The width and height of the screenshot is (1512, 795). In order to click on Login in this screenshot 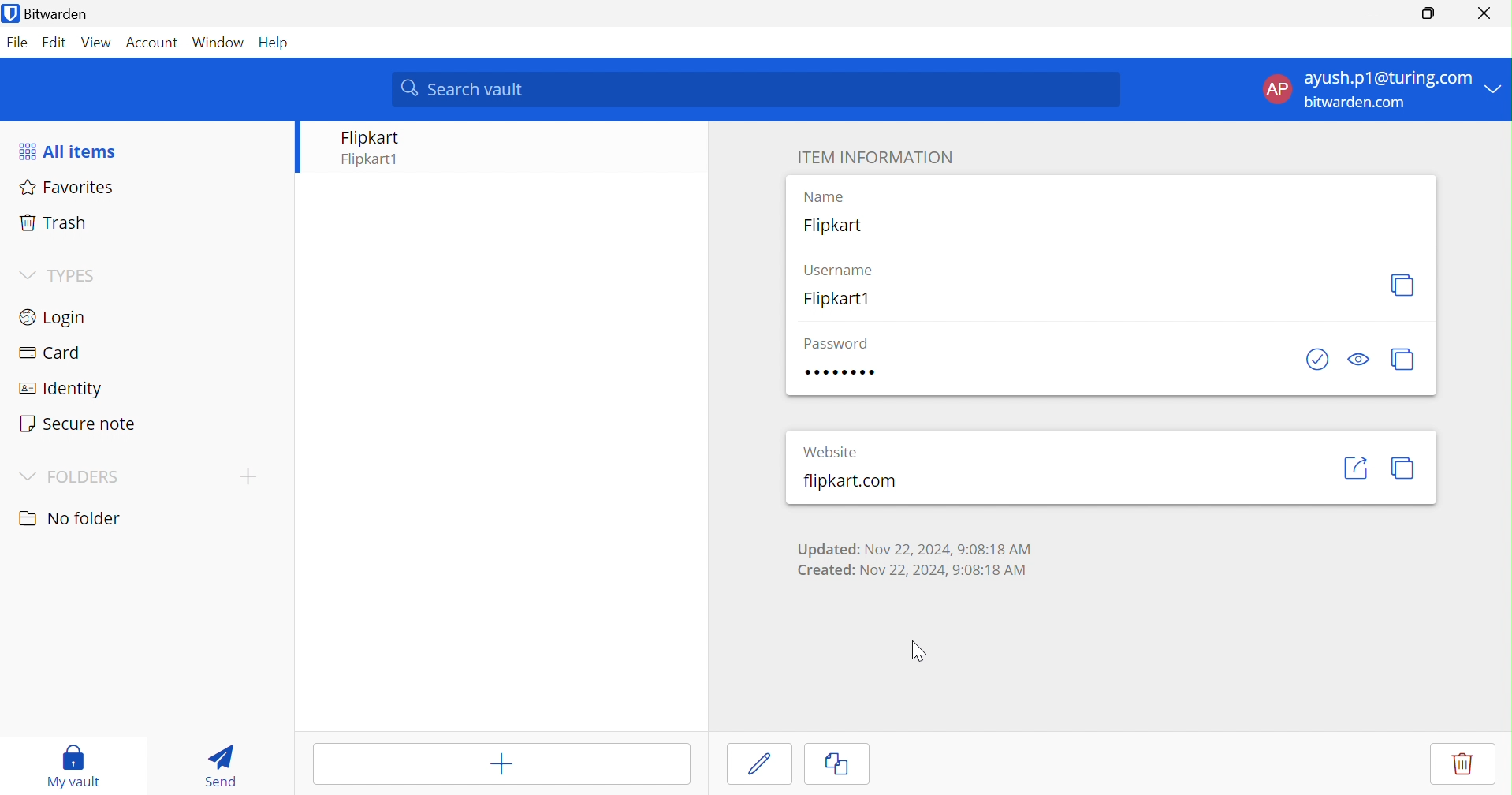, I will do `click(56, 319)`.